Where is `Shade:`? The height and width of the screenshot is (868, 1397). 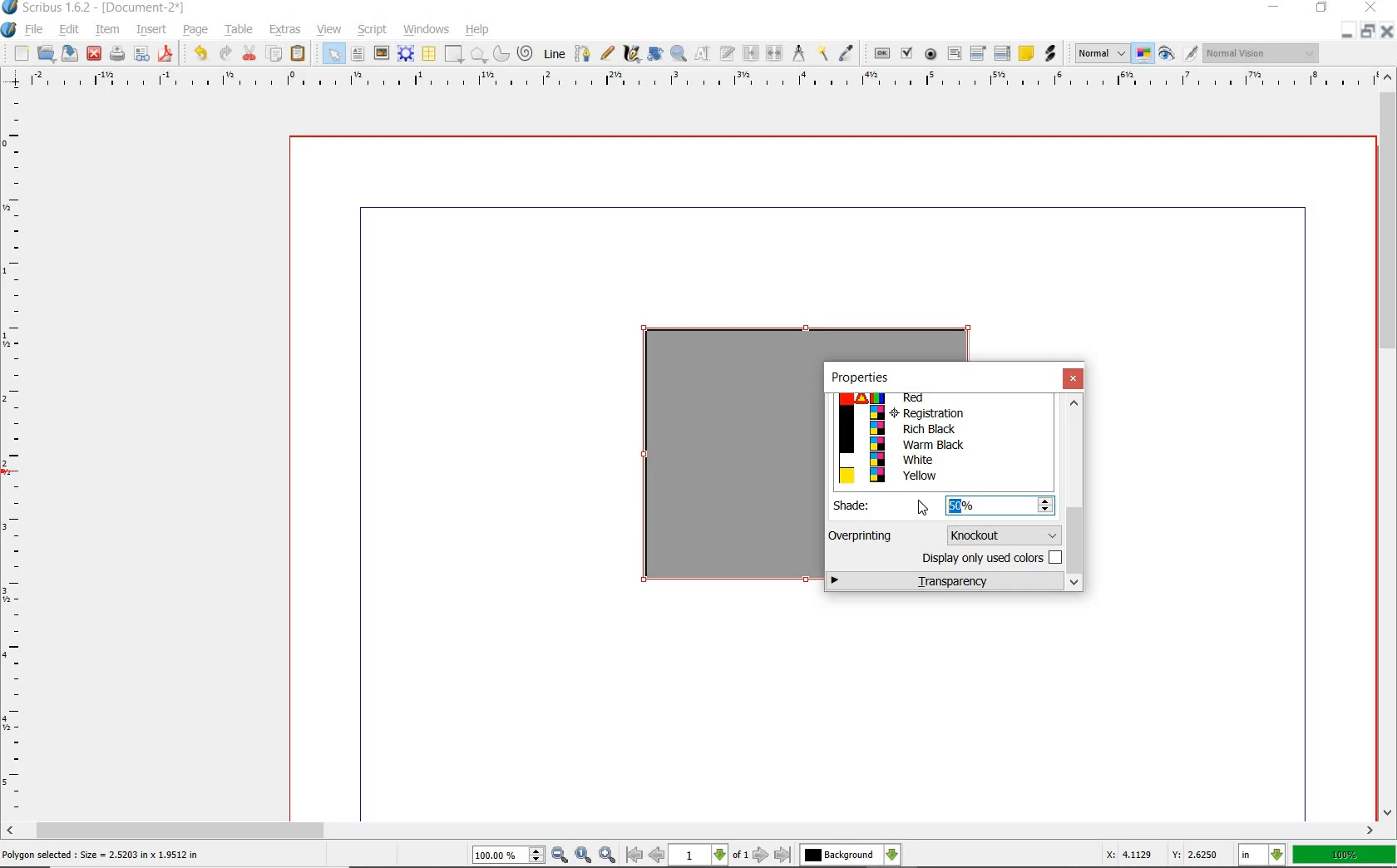 Shade: is located at coordinates (863, 506).